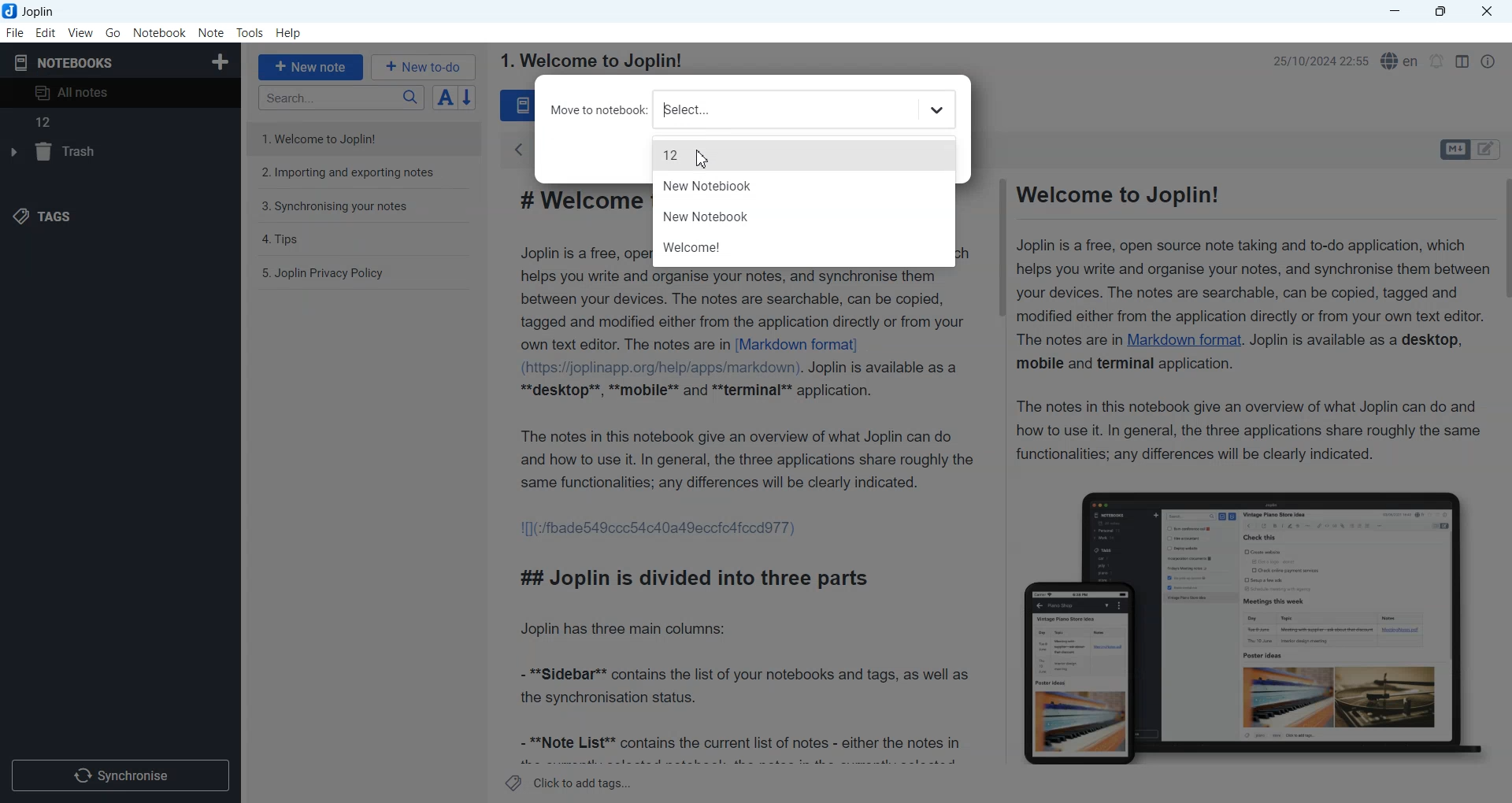 Image resolution: width=1512 pixels, height=803 pixels. Describe the element at coordinates (120, 774) in the screenshot. I see `Synchronize` at that location.